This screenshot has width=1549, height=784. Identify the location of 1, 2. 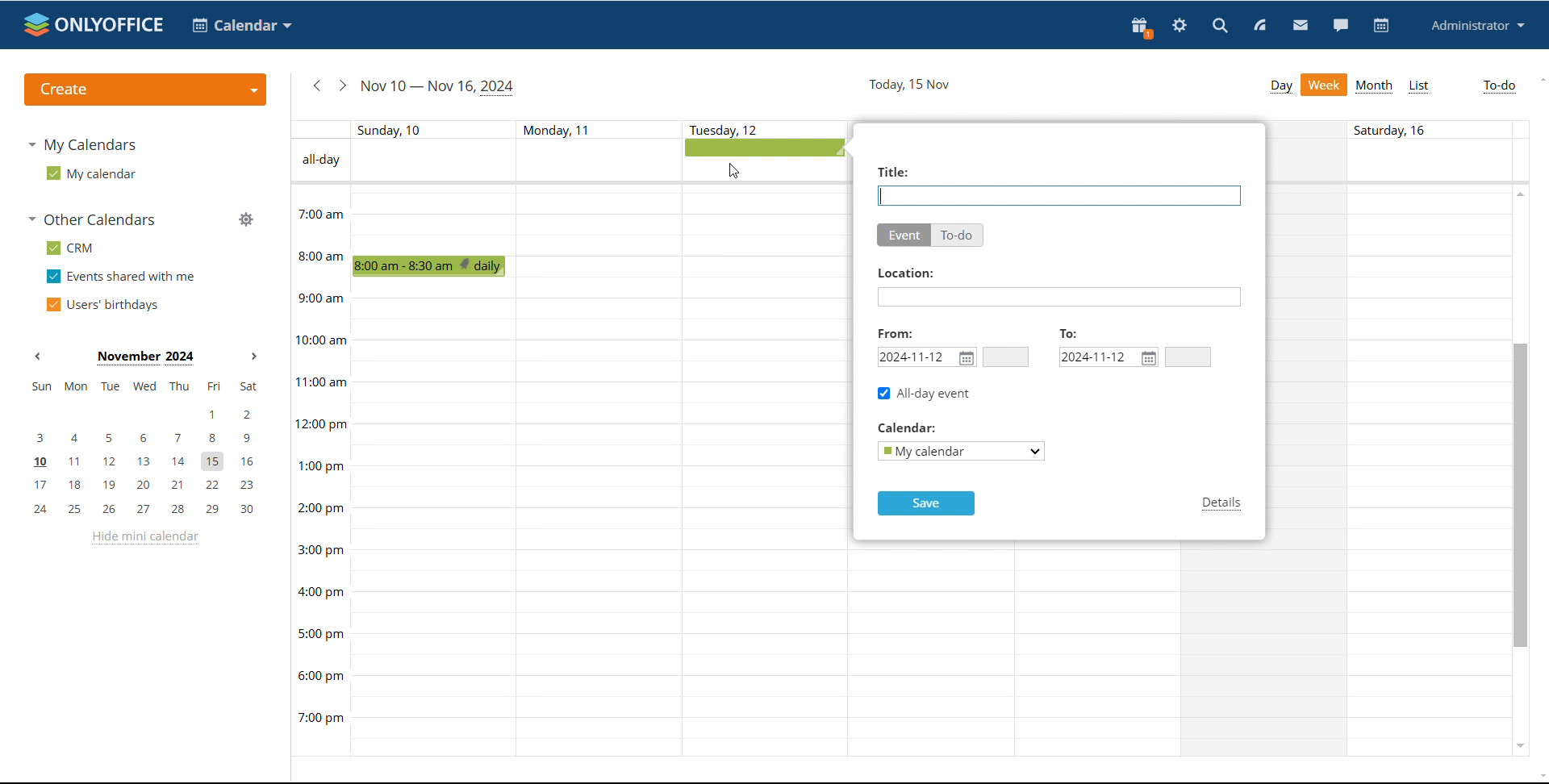
(144, 411).